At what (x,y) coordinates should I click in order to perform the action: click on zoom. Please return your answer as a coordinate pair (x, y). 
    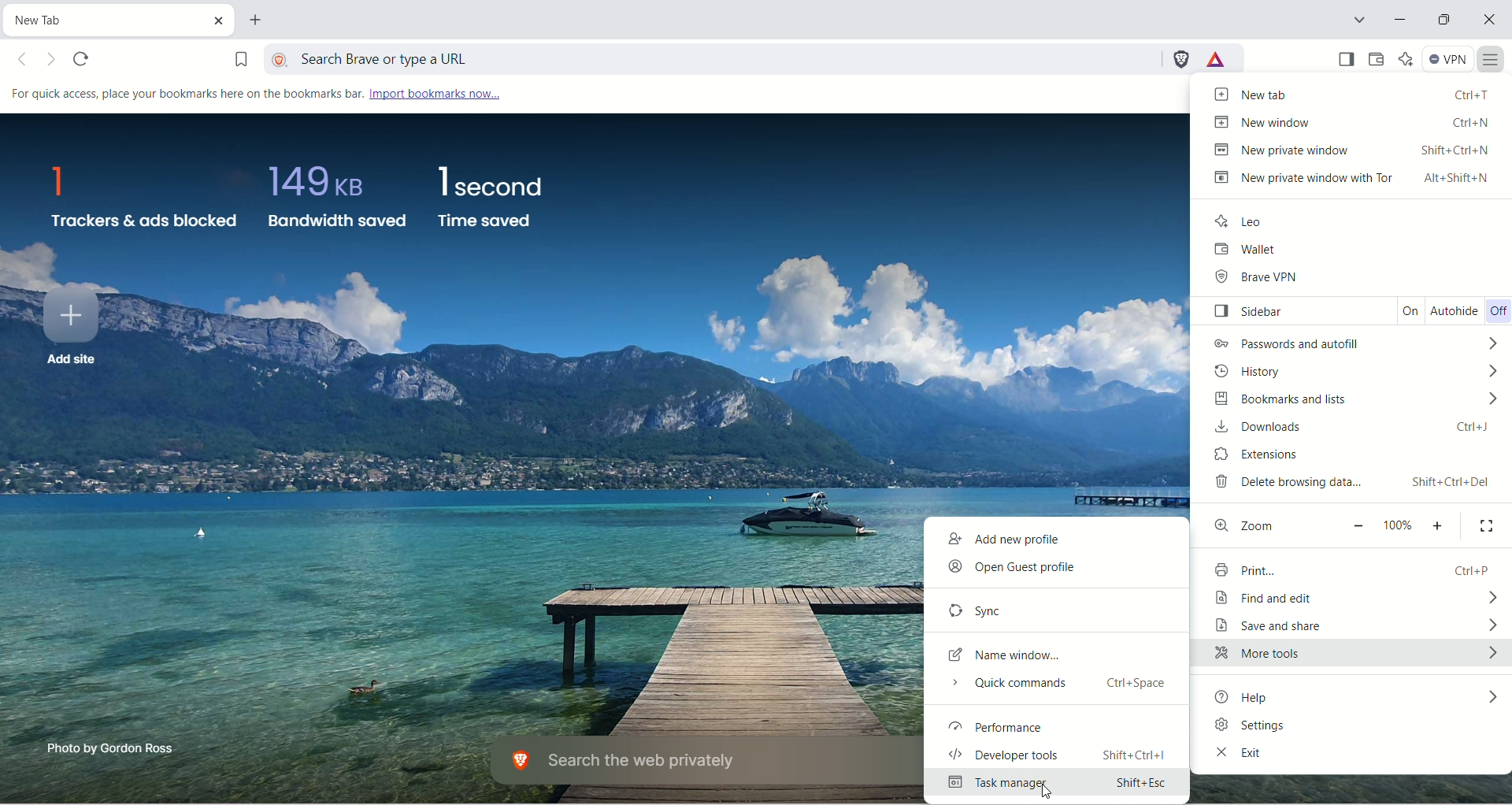
    Looking at the image, I should click on (1354, 525).